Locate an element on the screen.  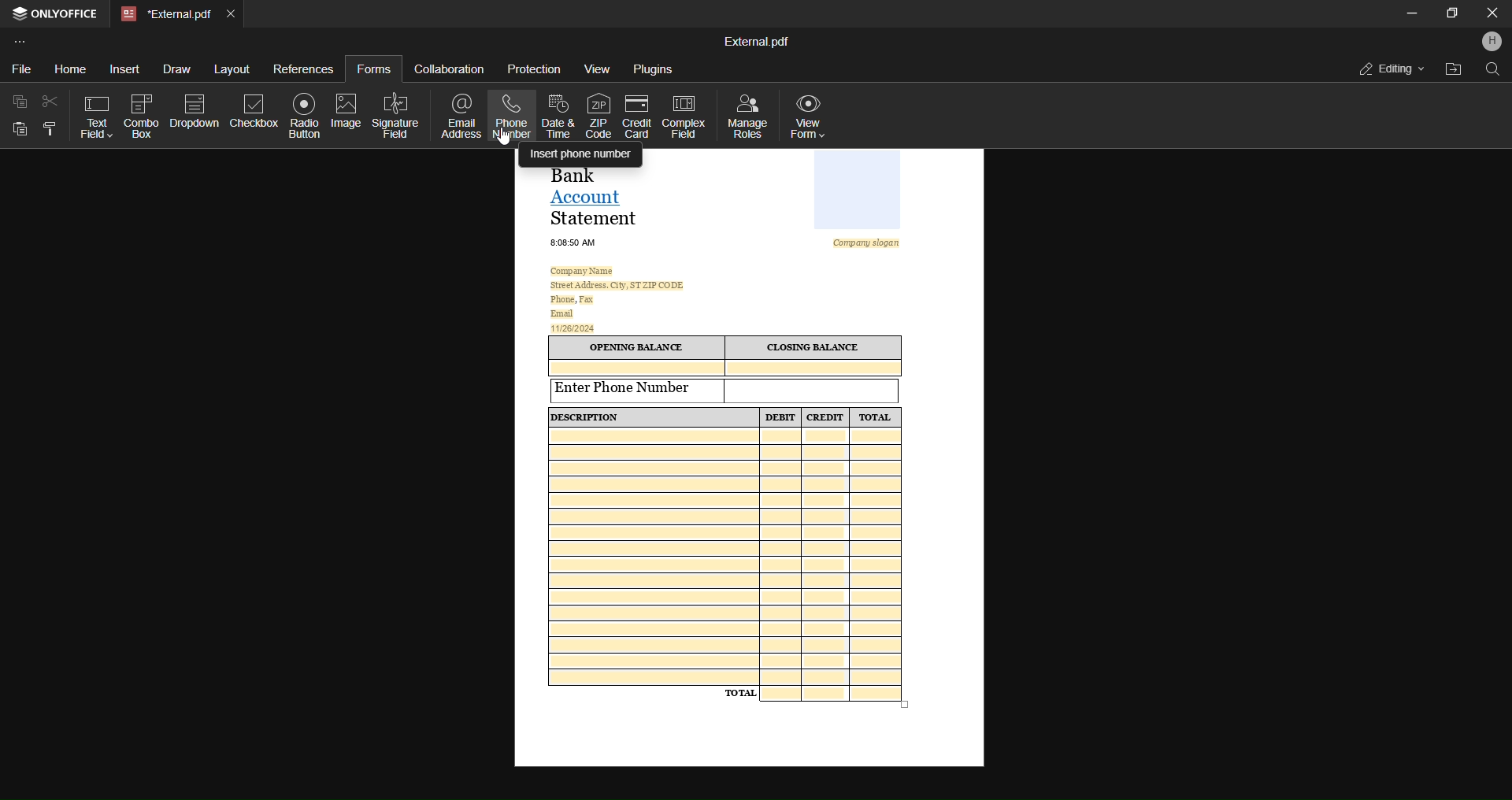
credit card is located at coordinates (638, 114).